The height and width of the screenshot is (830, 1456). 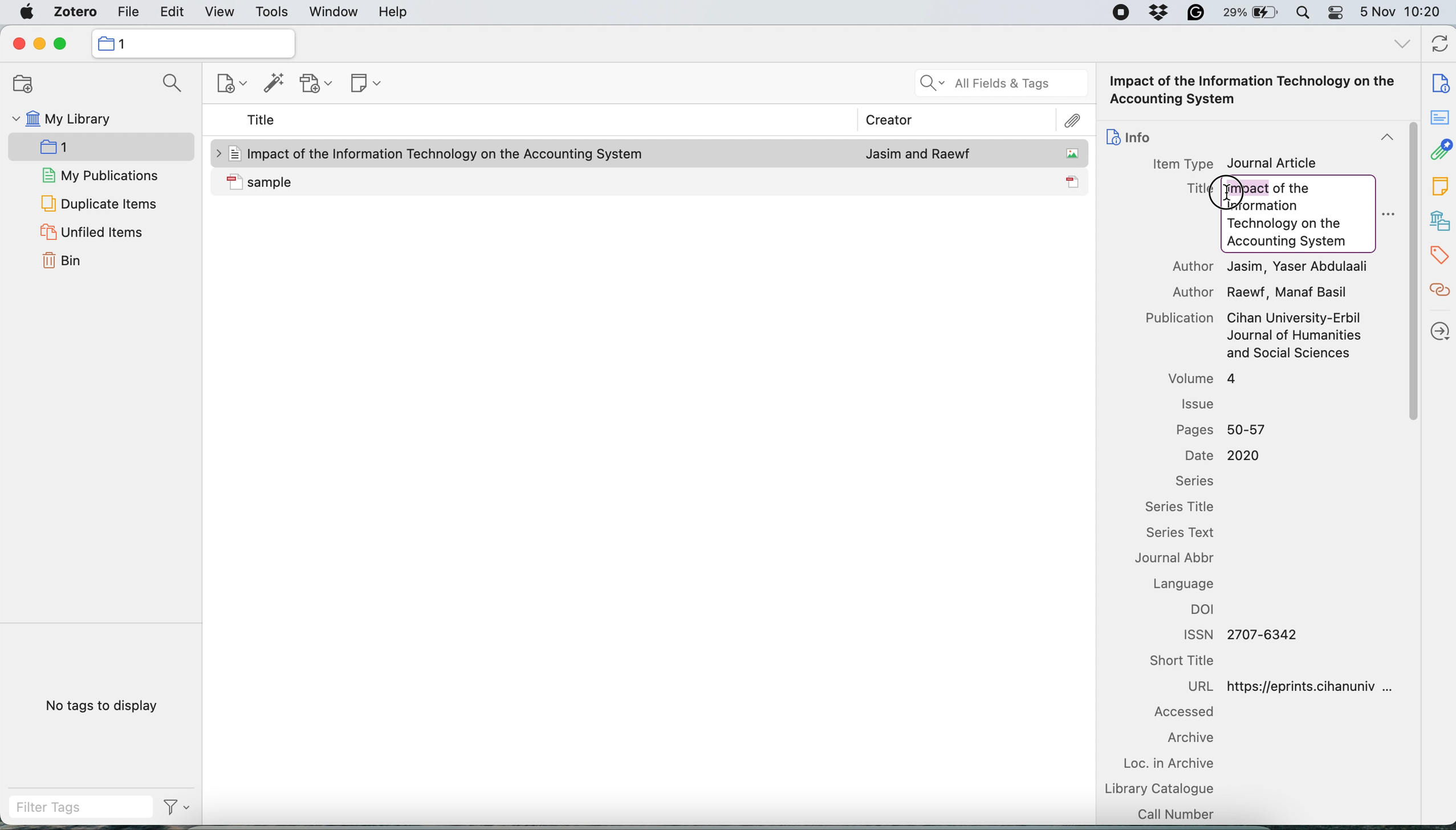 I want to click on abstract, so click(x=1439, y=118).